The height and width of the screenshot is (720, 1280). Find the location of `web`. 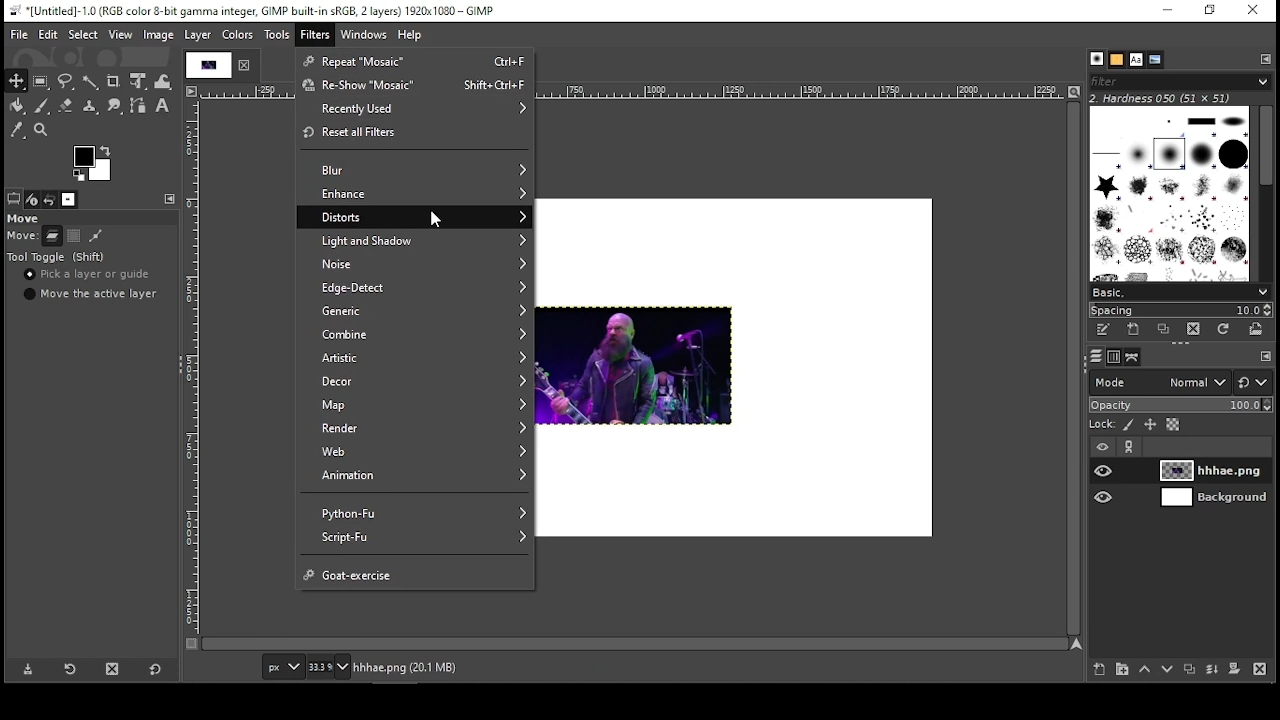

web is located at coordinates (417, 451).